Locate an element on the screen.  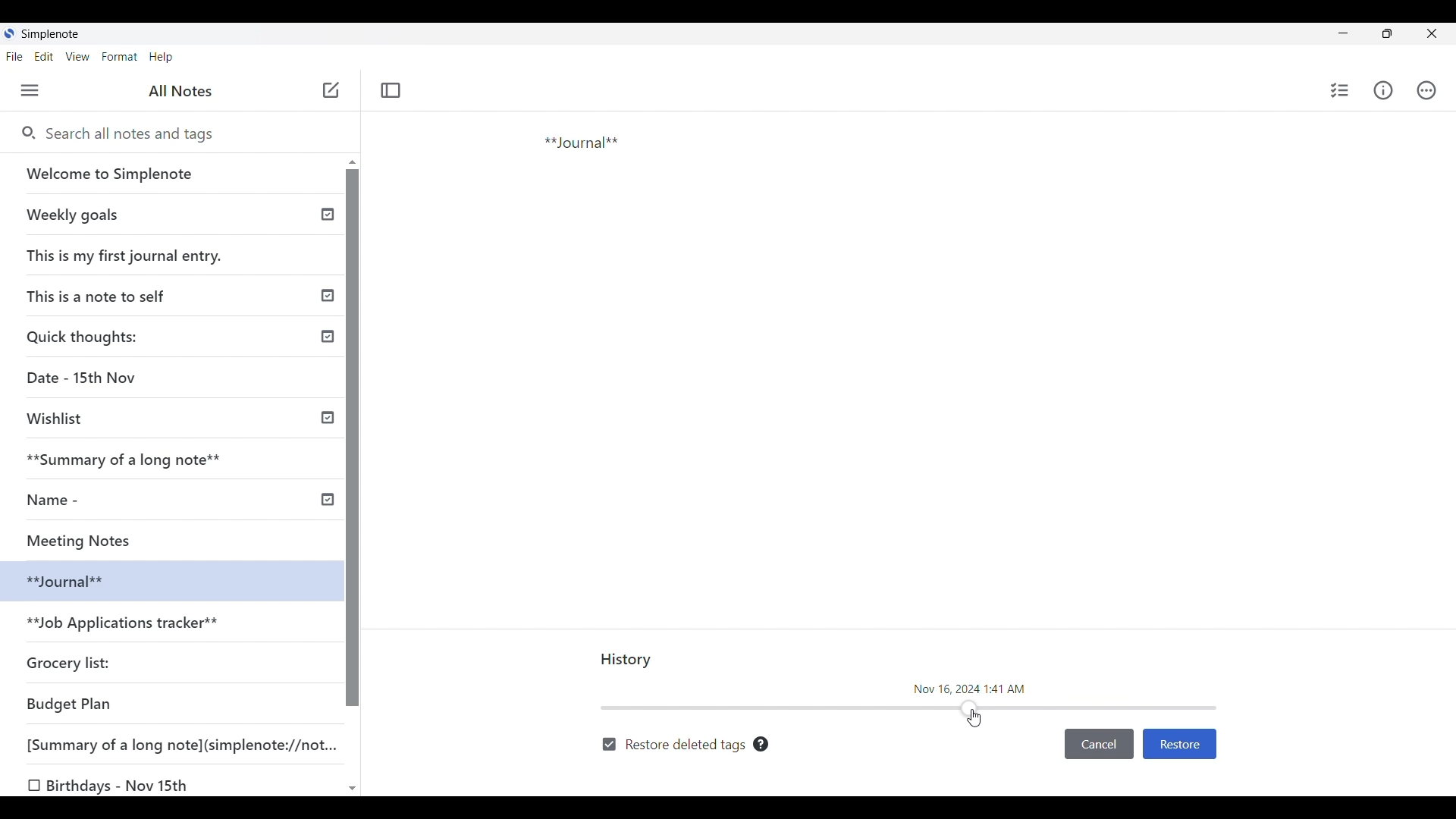
Title of left panel is located at coordinates (180, 91).